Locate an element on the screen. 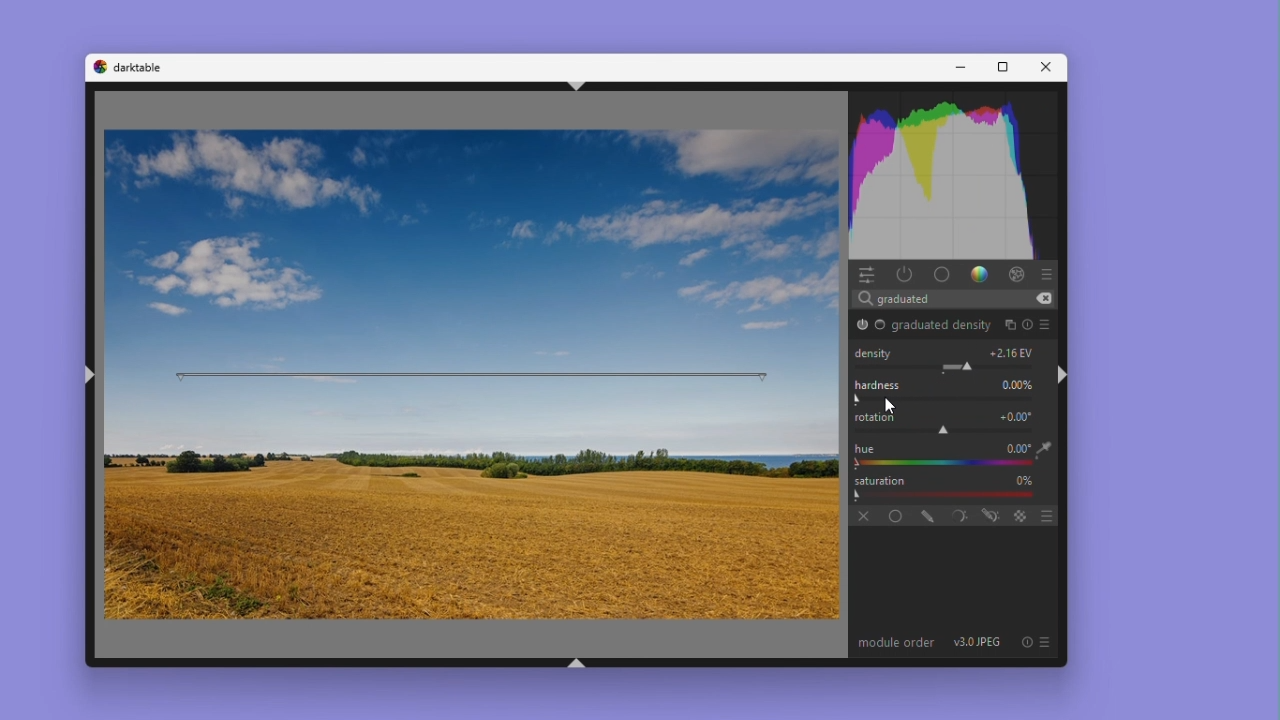  Gradient Bar is located at coordinates (940, 495).